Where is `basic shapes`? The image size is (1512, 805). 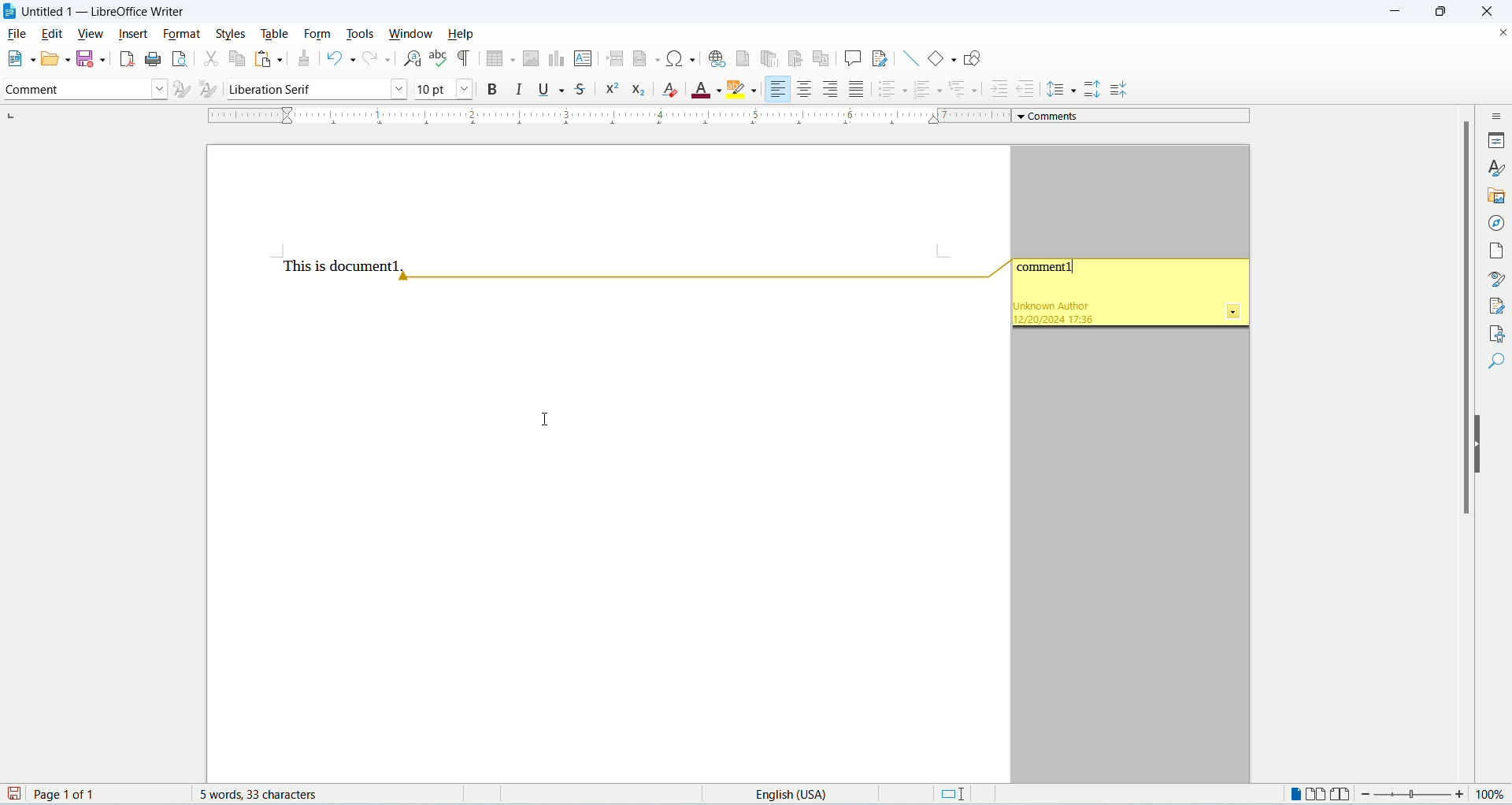 basic shapes is located at coordinates (943, 57).